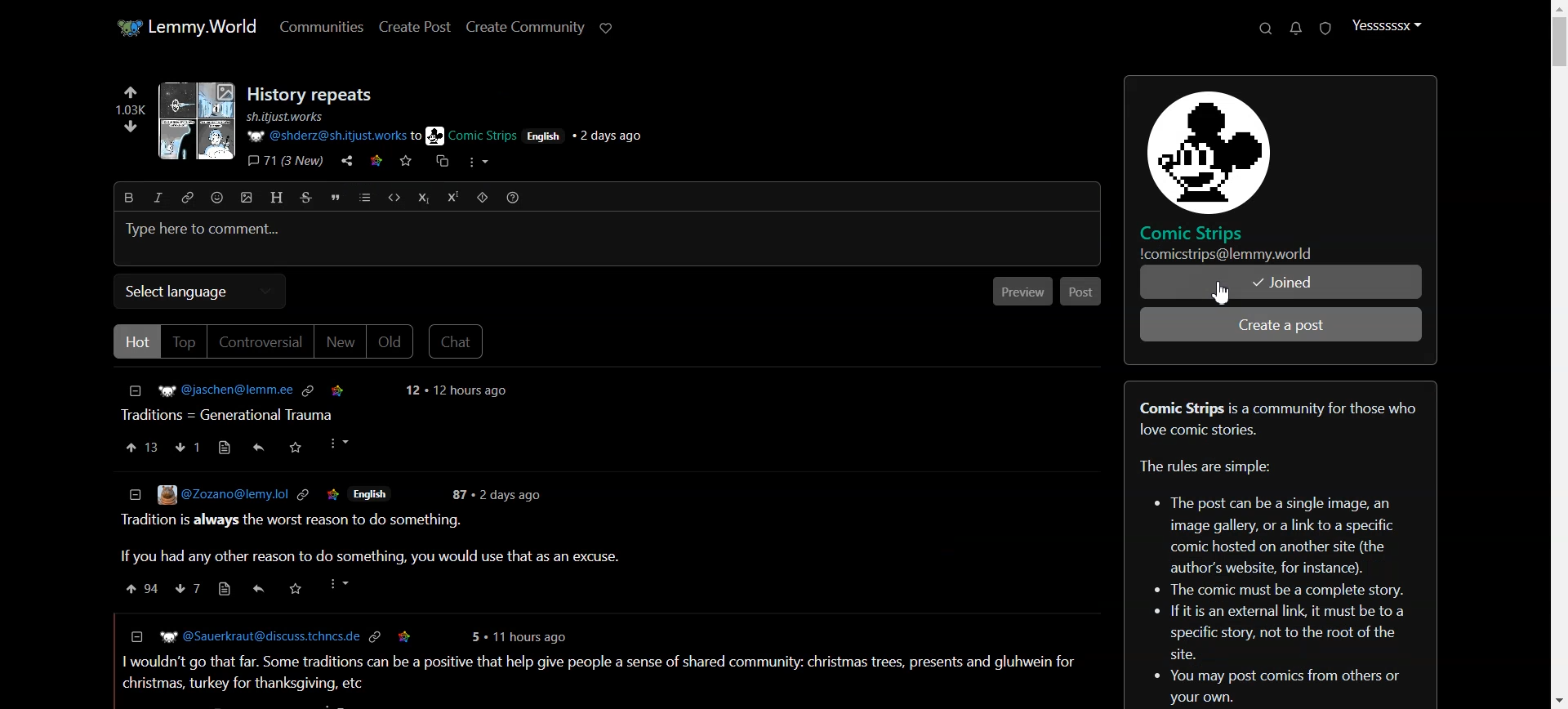 The width and height of the screenshot is (1568, 709). Describe the element at coordinates (1326, 29) in the screenshot. I see `Unread Report` at that location.